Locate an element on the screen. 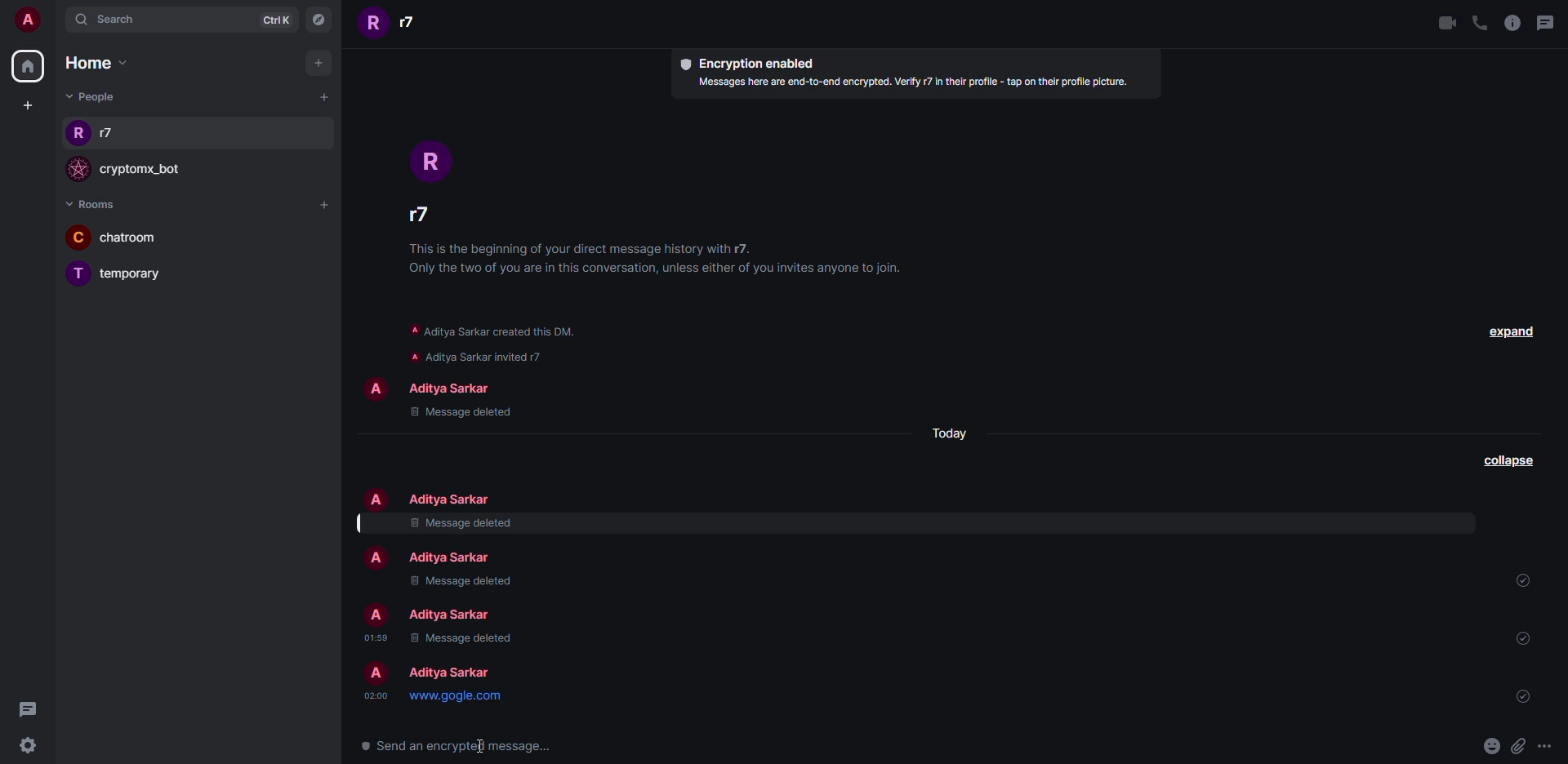  threads is located at coordinates (1547, 20).